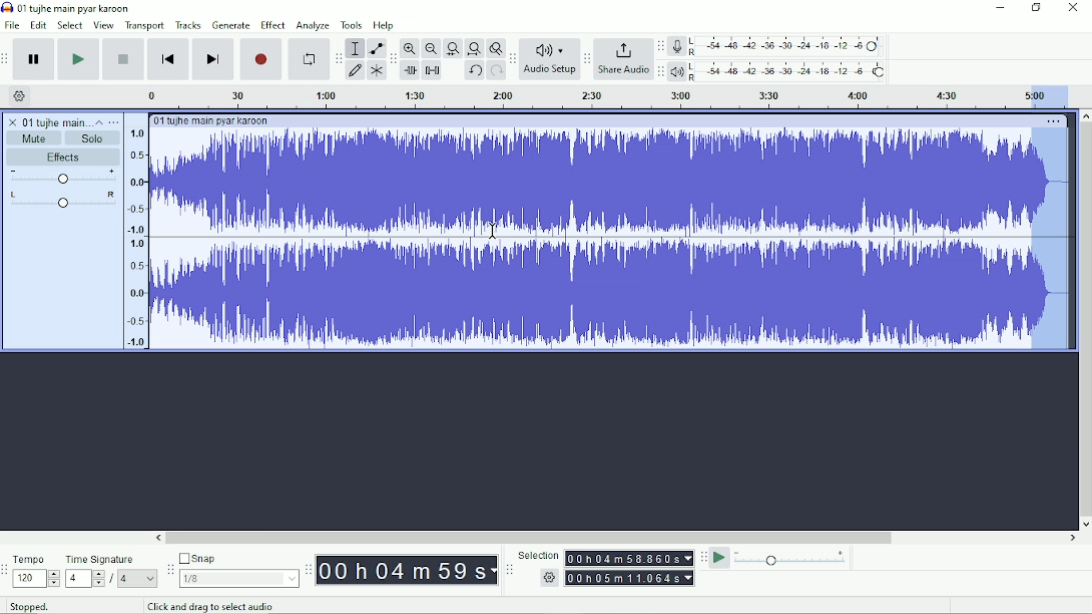 The image size is (1092, 614). Describe the element at coordinates (1001, 7) in the screenshot. I see `Minimize` at that location.